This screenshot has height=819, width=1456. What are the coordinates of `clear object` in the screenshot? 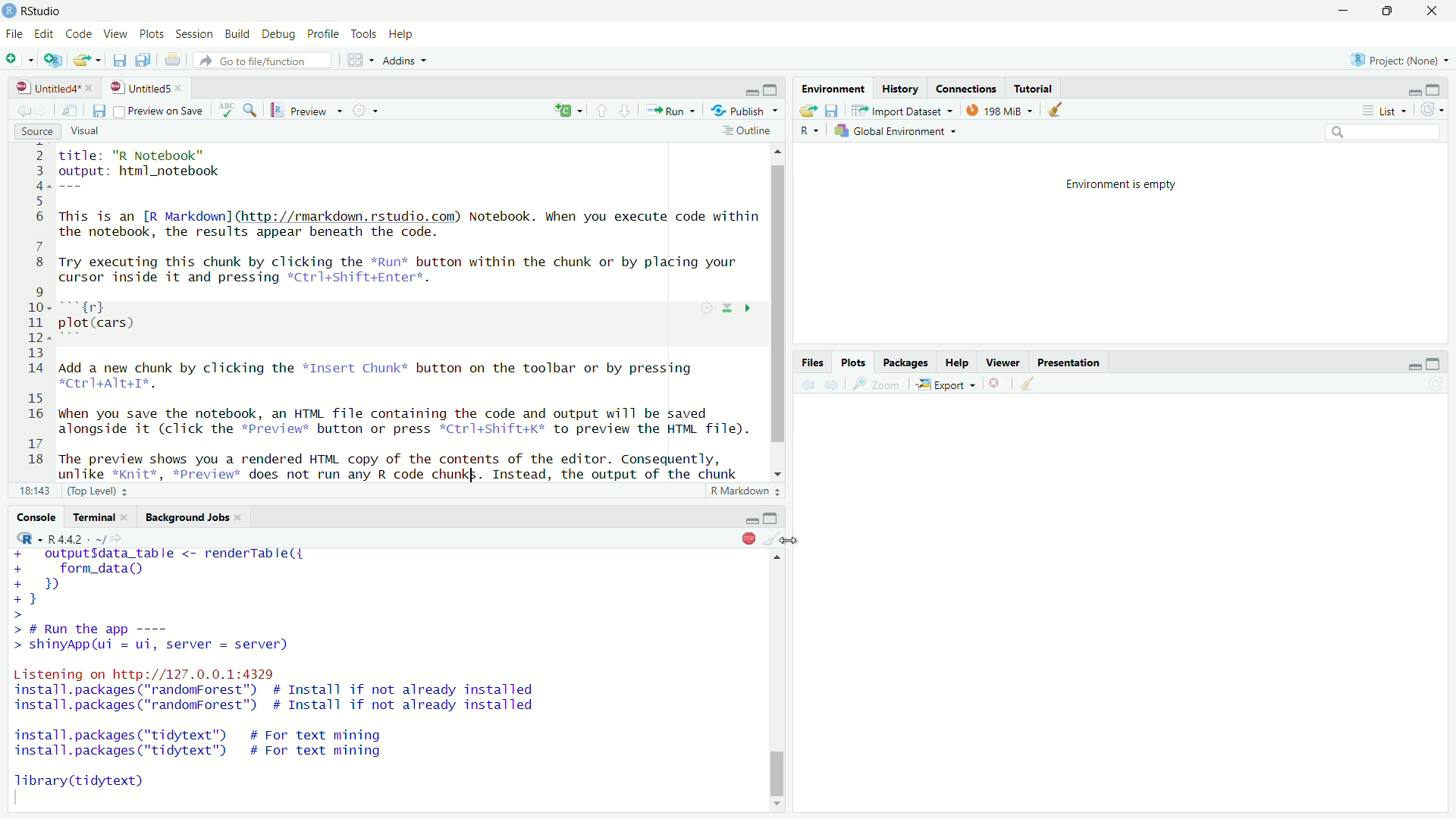 It's located at (1053, 110).